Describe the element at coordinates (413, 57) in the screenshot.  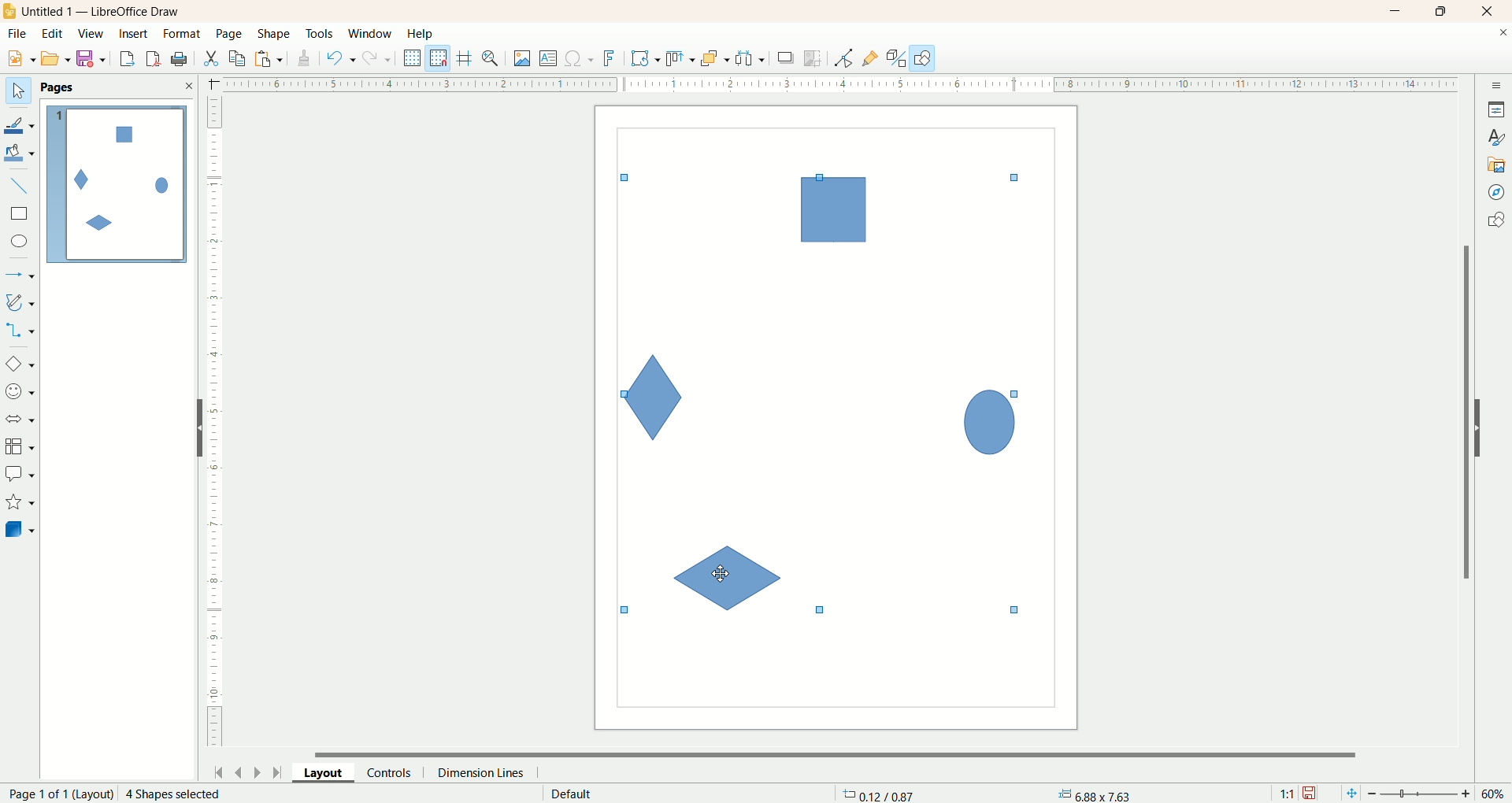
I see `display grid` at that location.